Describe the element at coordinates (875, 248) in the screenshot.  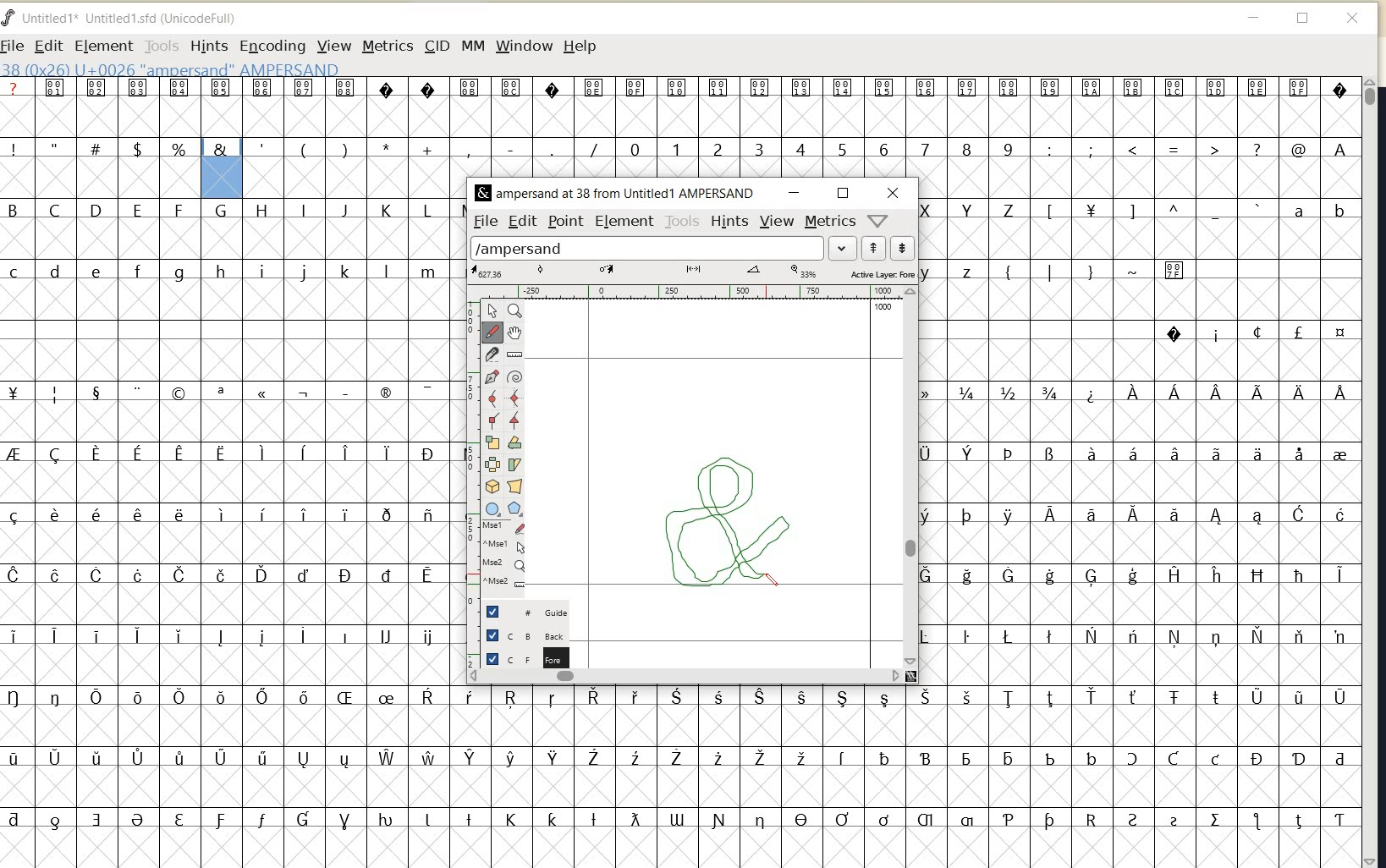
I see `show previous word list` at that location.